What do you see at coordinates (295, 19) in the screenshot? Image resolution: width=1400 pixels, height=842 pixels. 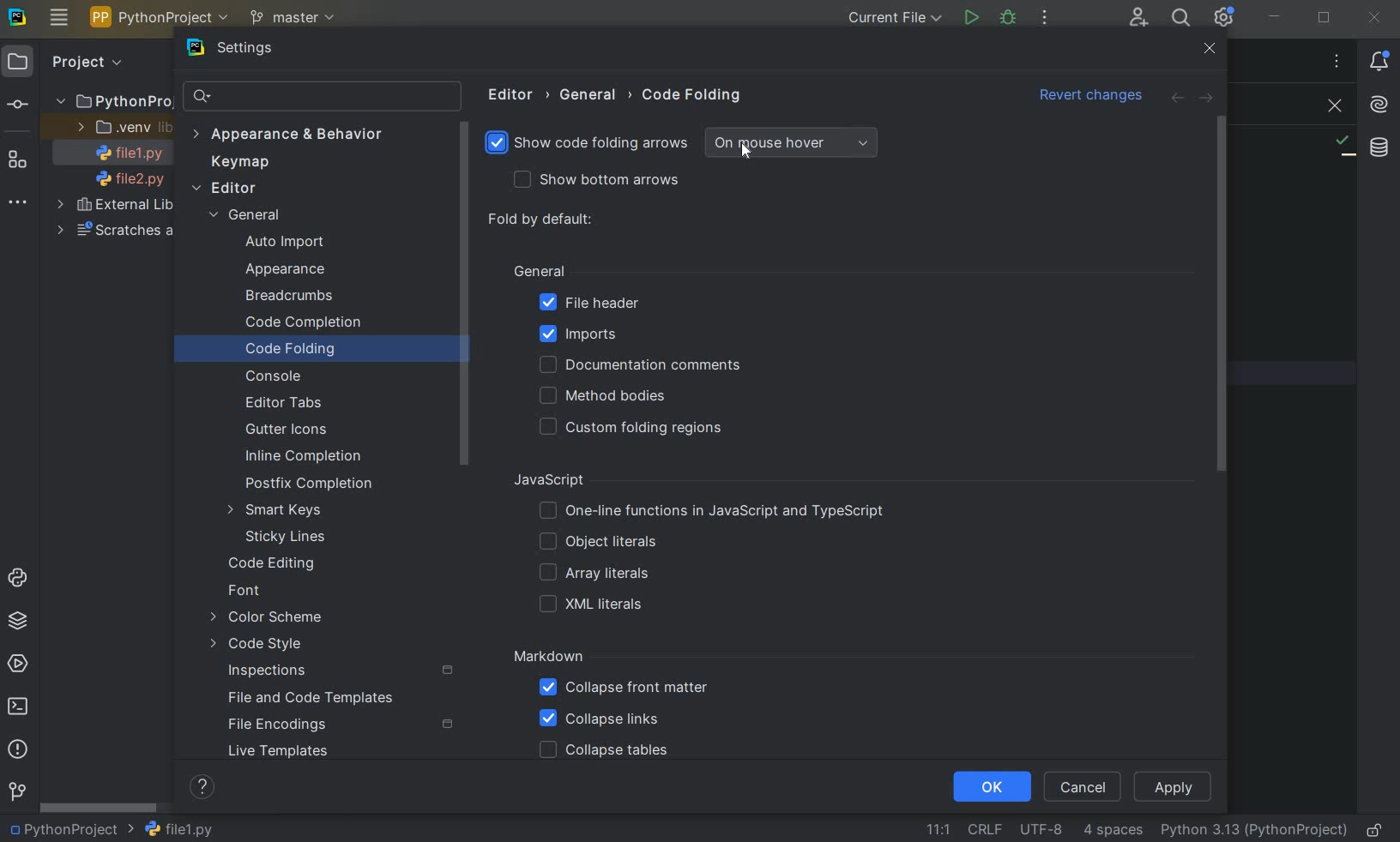 I see `MASTER` at bounding box center [295, 19].